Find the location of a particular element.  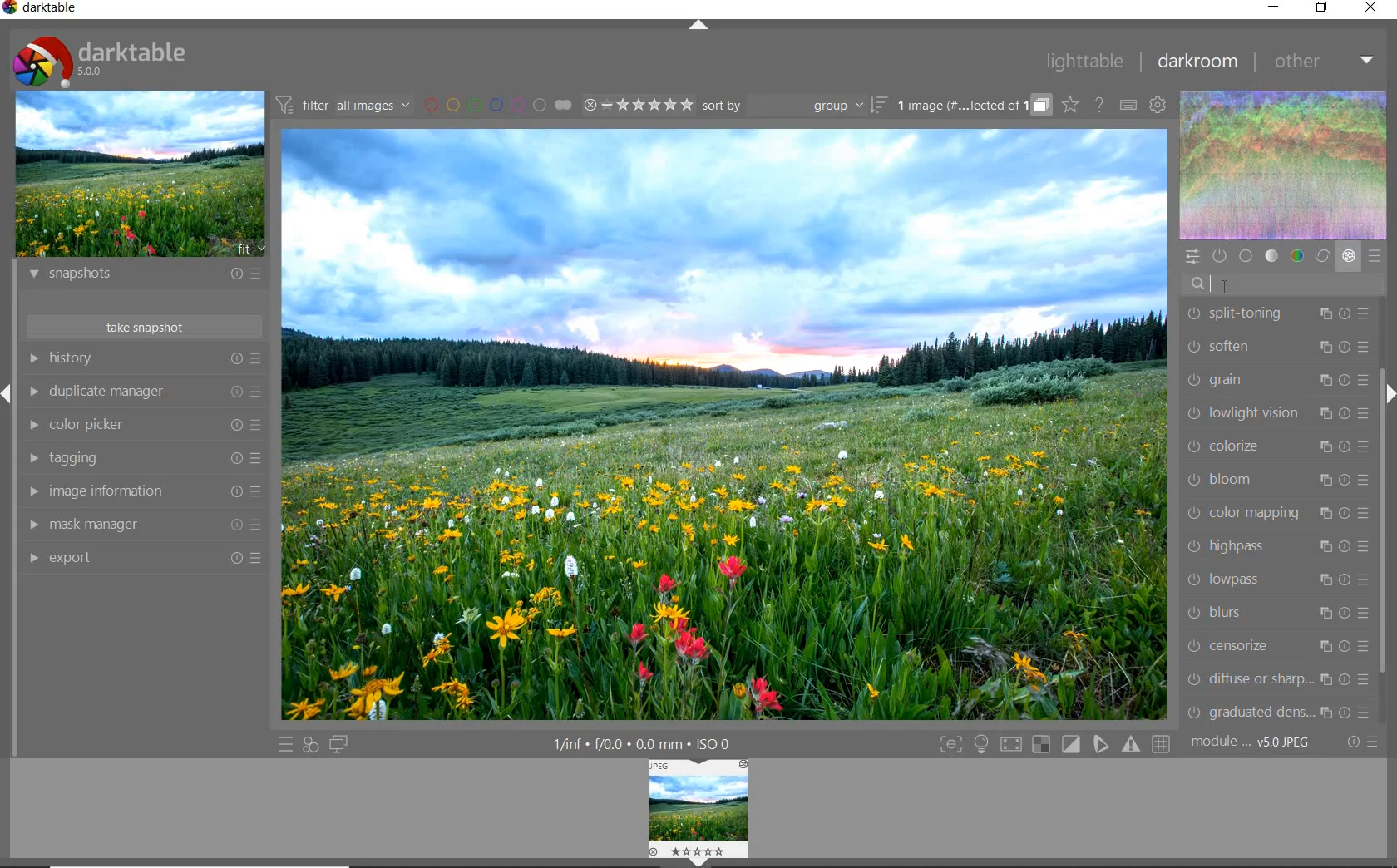

image information is located at coordinates (141, 492).